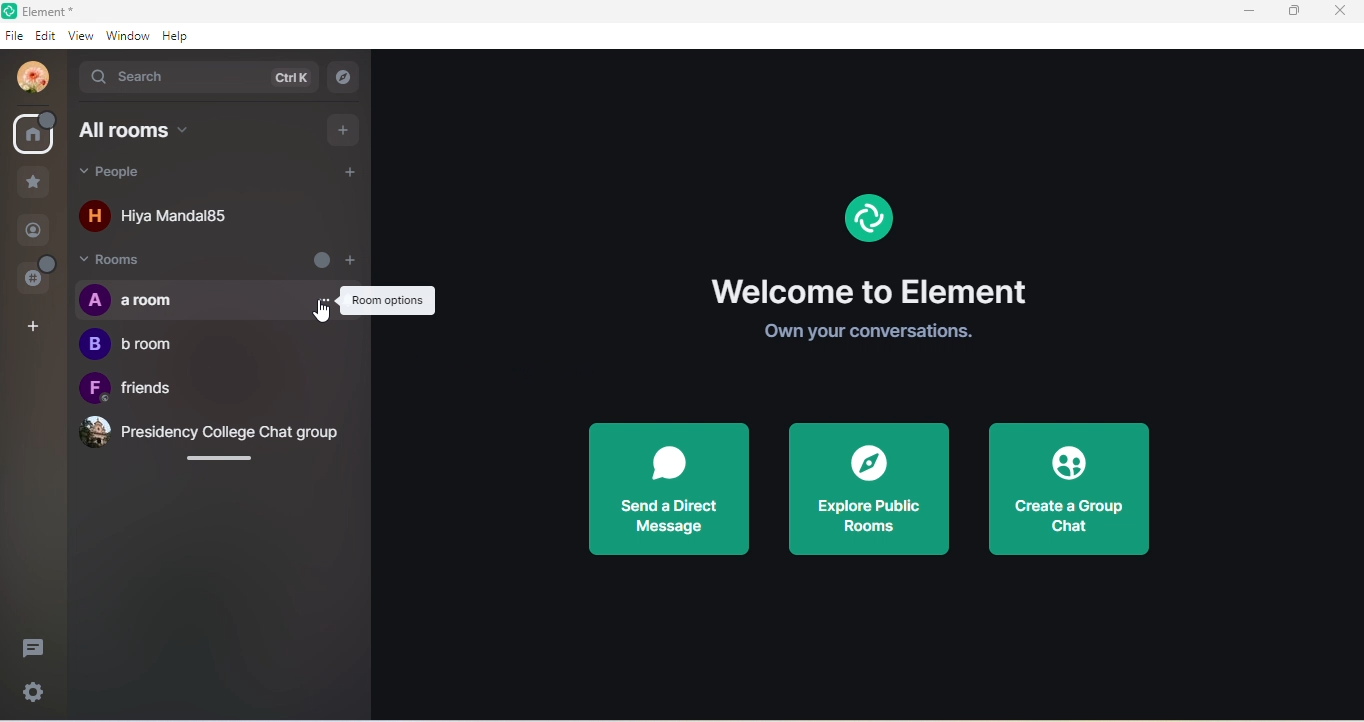 This screenshot has height=722, width=1364. Describe the element at coordinates (345, 130) in the screenshot. I see `add` at that location.